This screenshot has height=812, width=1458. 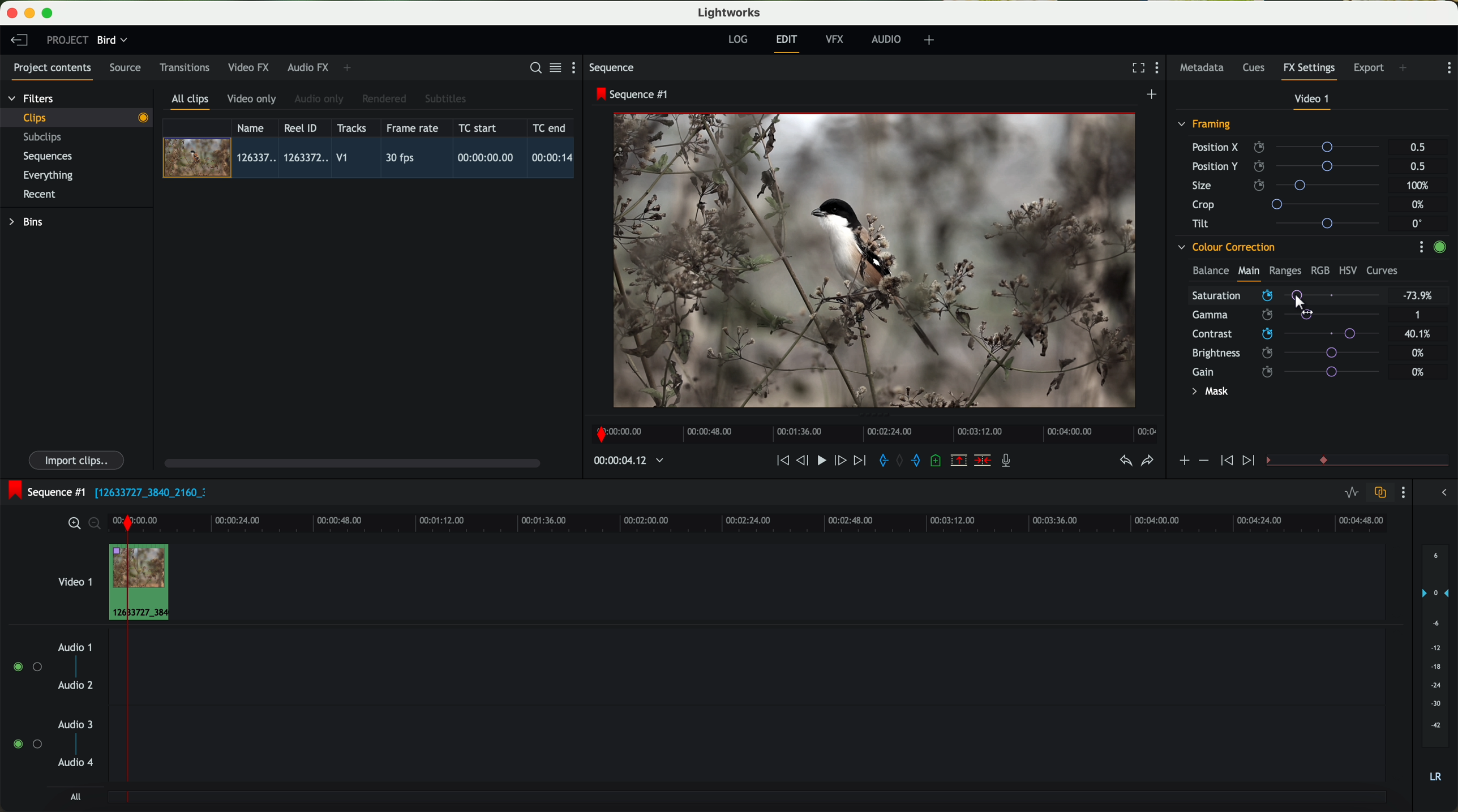 I want to click on black, so click(x=146, y=491).